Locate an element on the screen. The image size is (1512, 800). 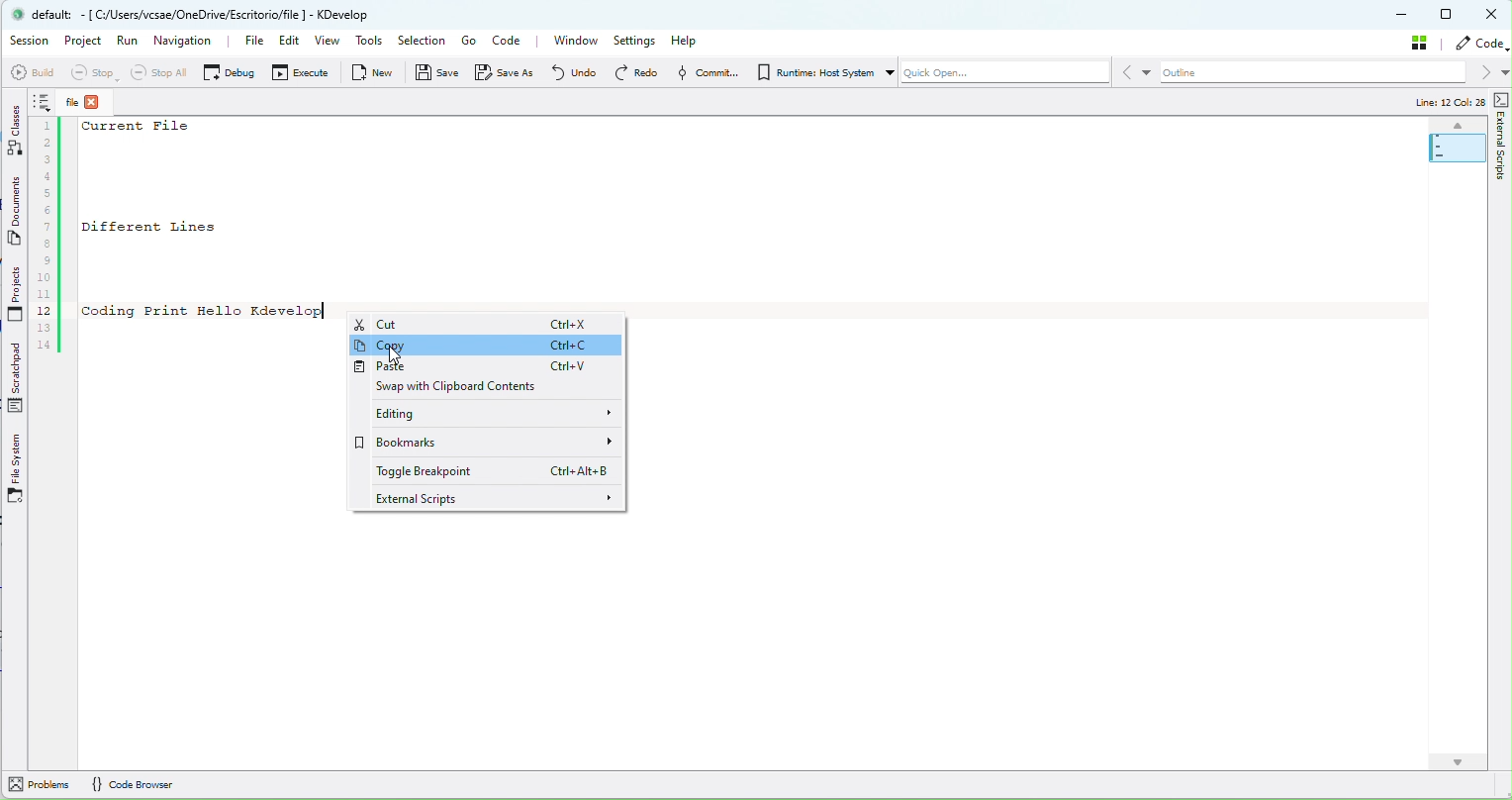
Projects is located at coordinates (16, 296).